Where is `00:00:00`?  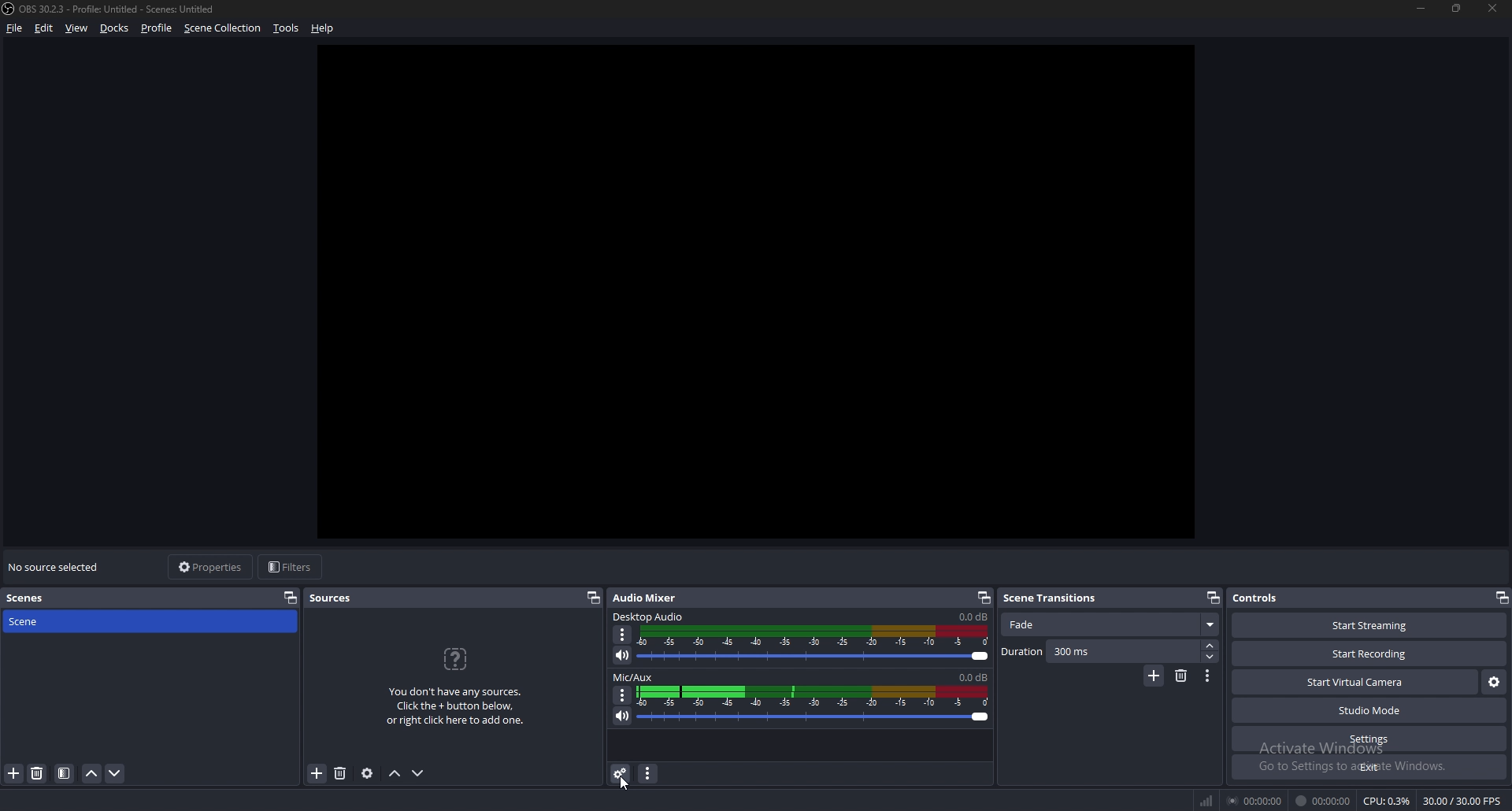 00:00:00 is located at coordinates (1323, 802).